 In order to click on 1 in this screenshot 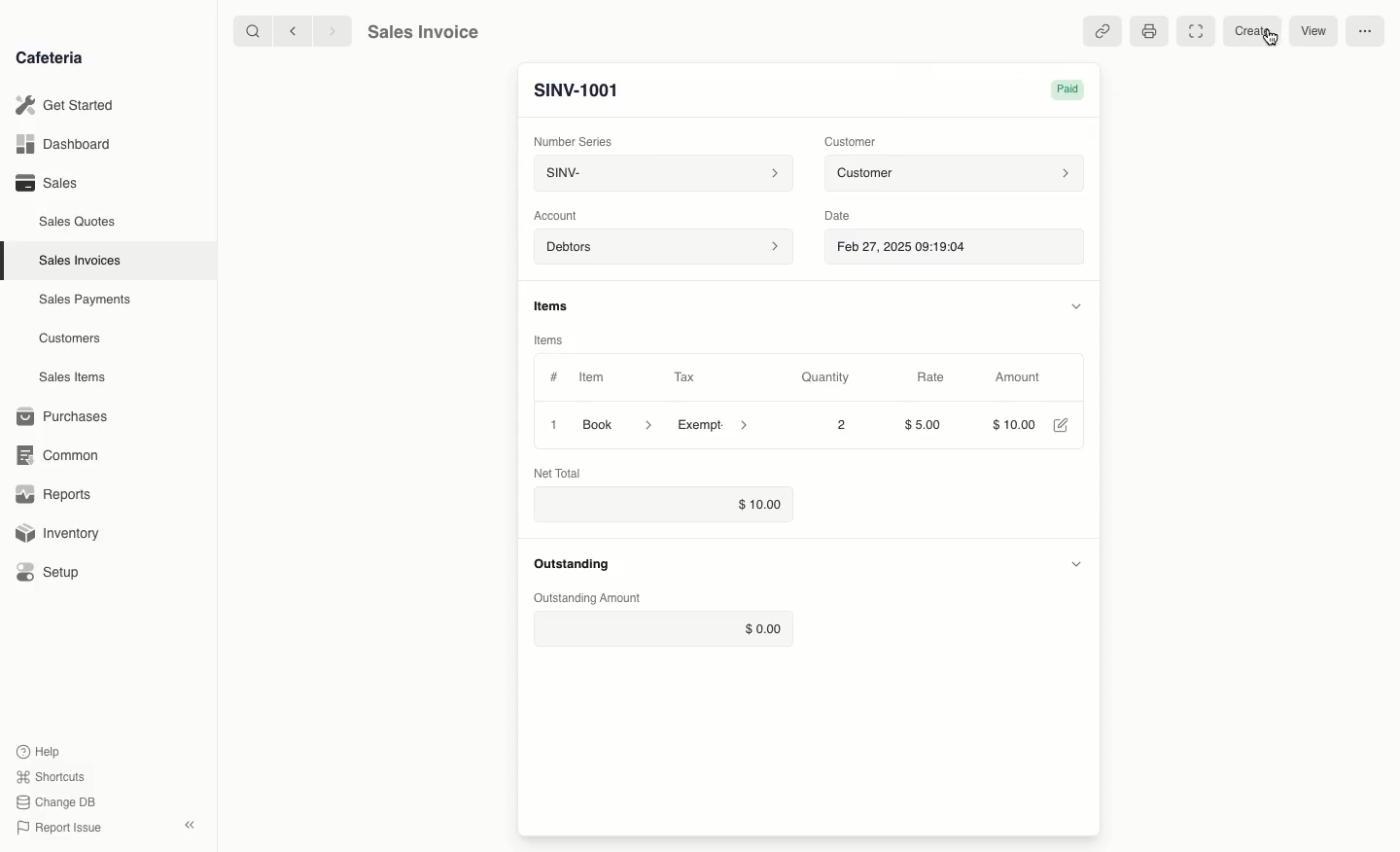, I will do `click(550, 424)`.